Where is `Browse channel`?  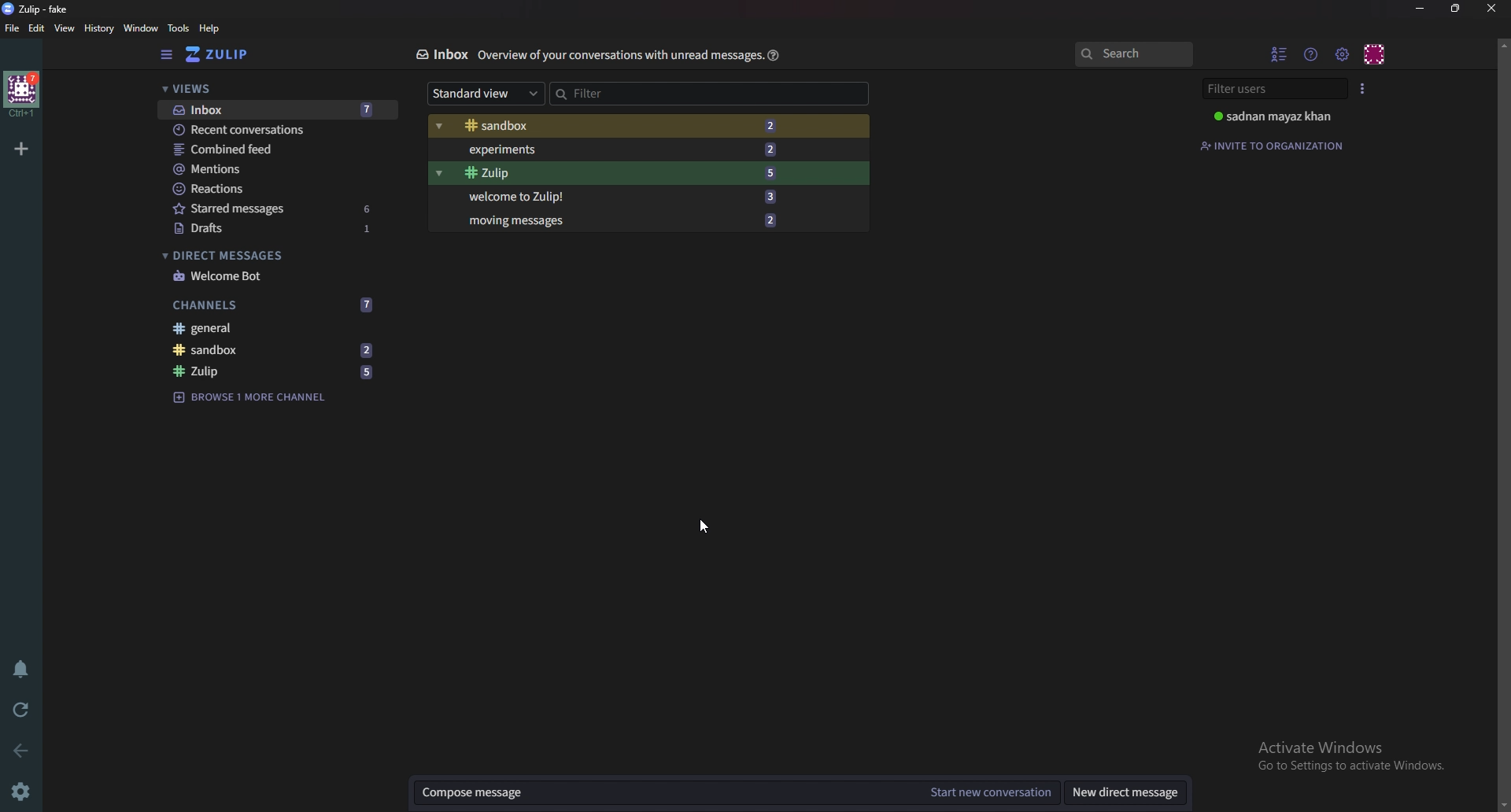
Browse channel is located at coordinates (249, 398).